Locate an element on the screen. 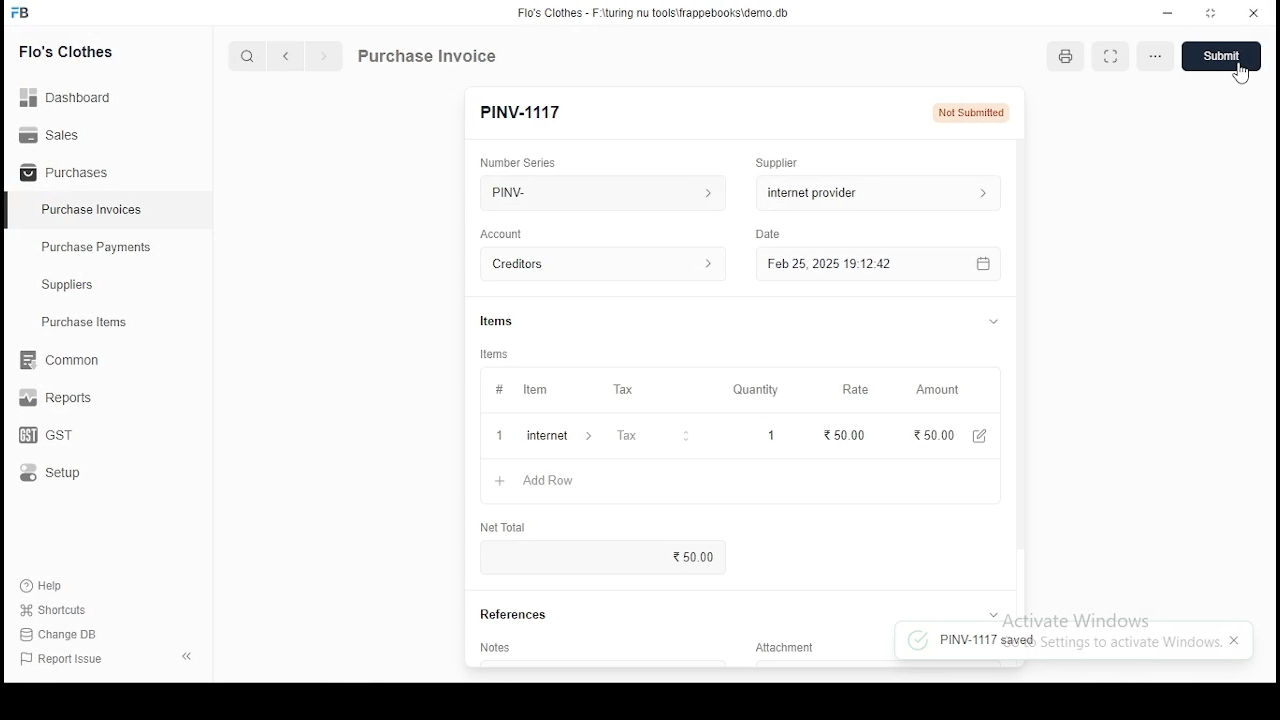  supplier is located at coordinates (873, 192).